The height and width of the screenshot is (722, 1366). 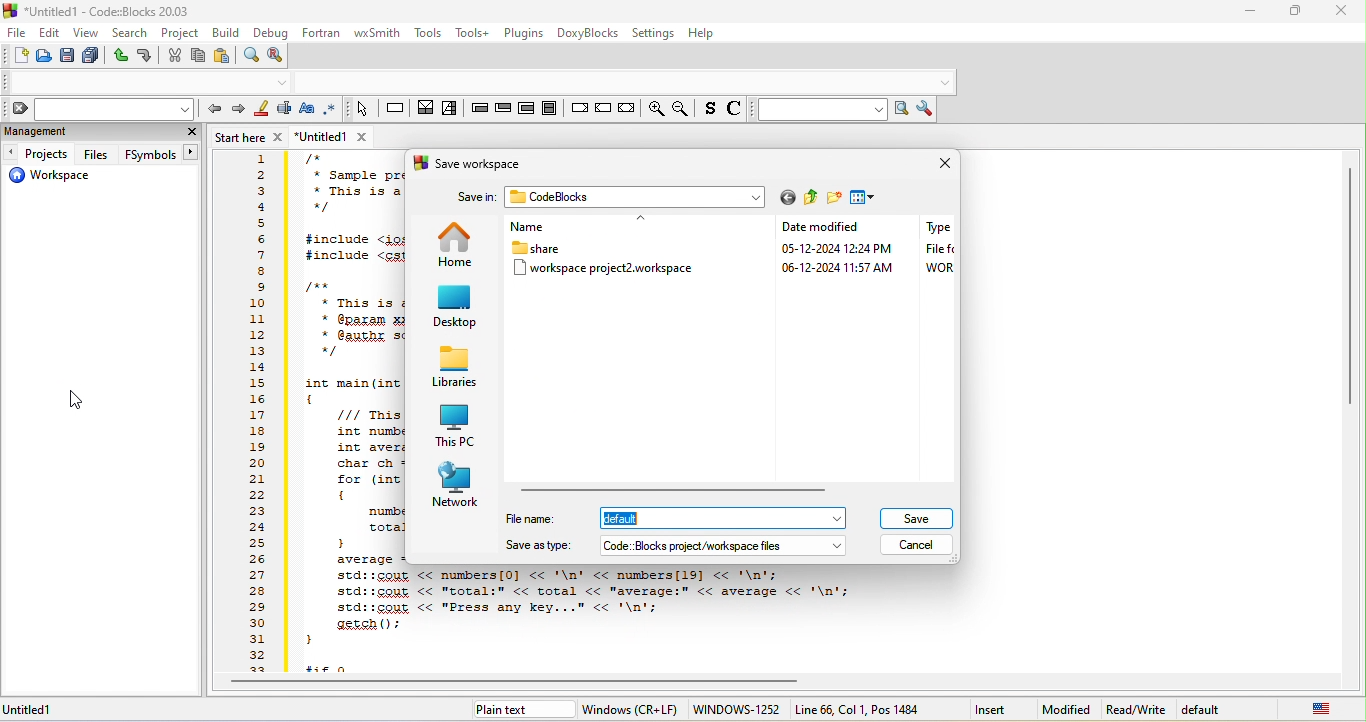 What do you see at coordinates (812, 198) in the screenshot?
I see `up one level` at bounding box center [812, 198].